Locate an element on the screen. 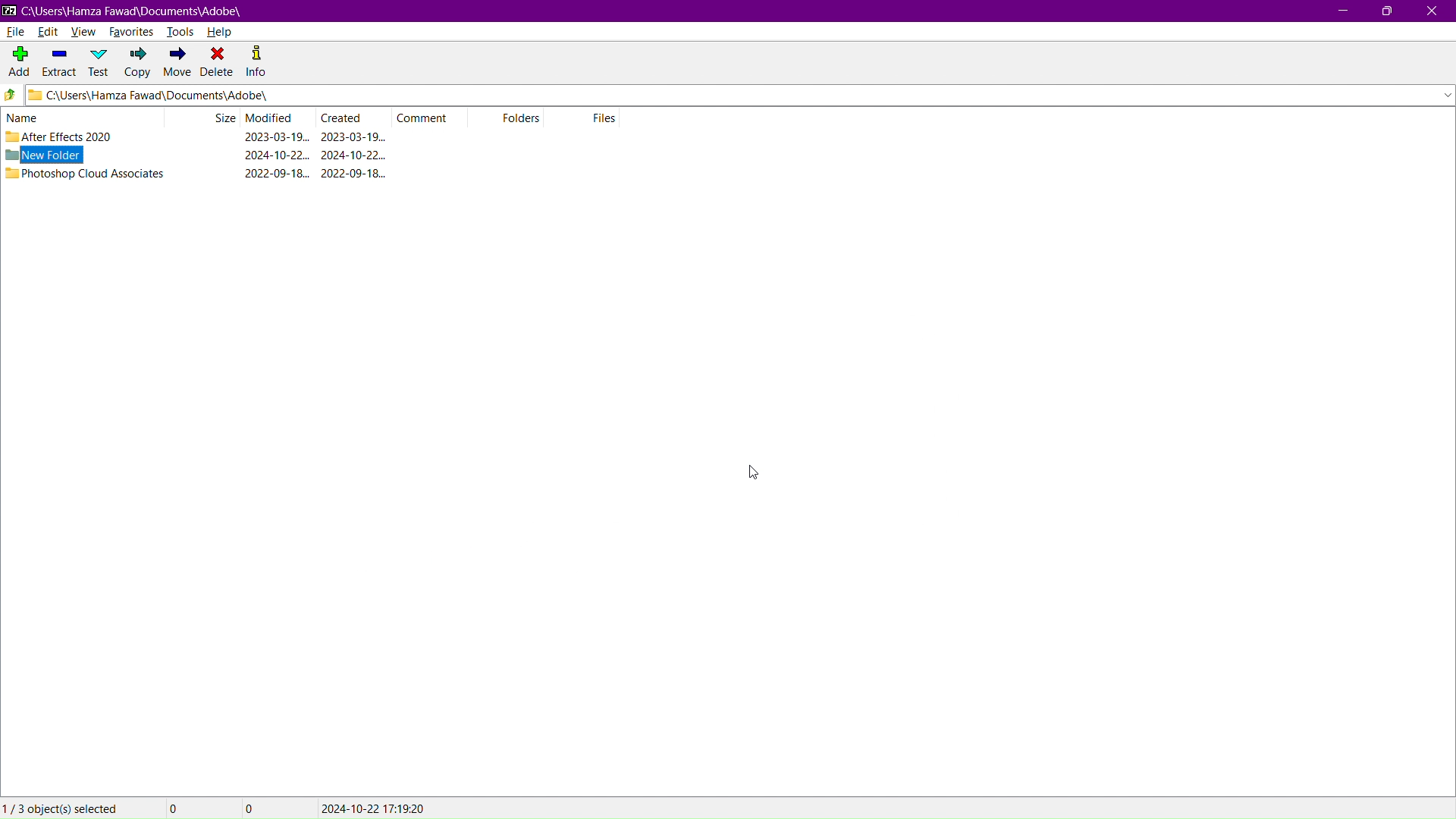  Move is located at coordinates (175, 63).